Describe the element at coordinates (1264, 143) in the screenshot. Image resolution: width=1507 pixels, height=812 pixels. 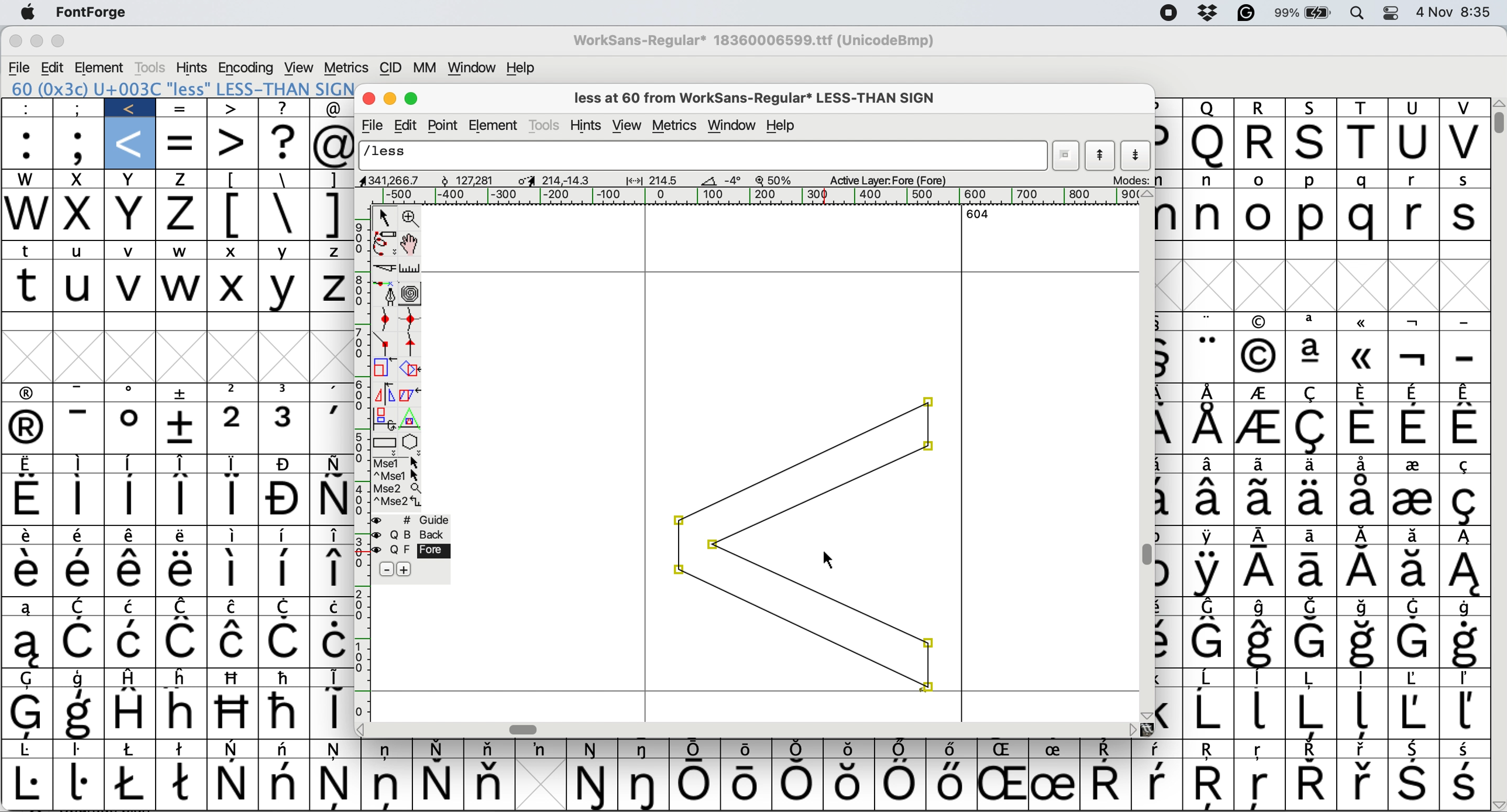
I see `r` at that location.